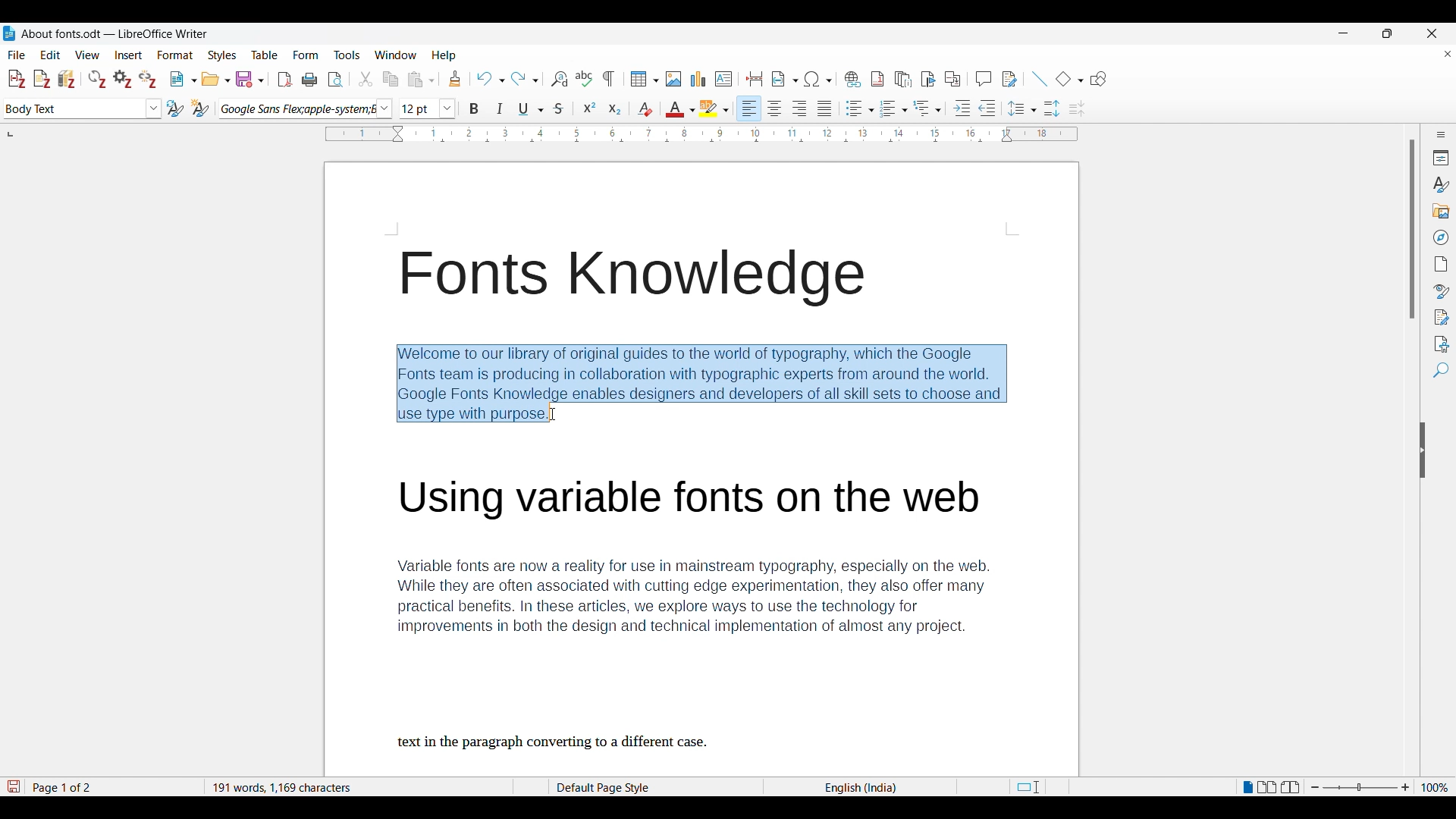 Image resolution: width=1456 pixels, height=819 pixels. I want to click on Toggle formatting marks, so click(608, 79).